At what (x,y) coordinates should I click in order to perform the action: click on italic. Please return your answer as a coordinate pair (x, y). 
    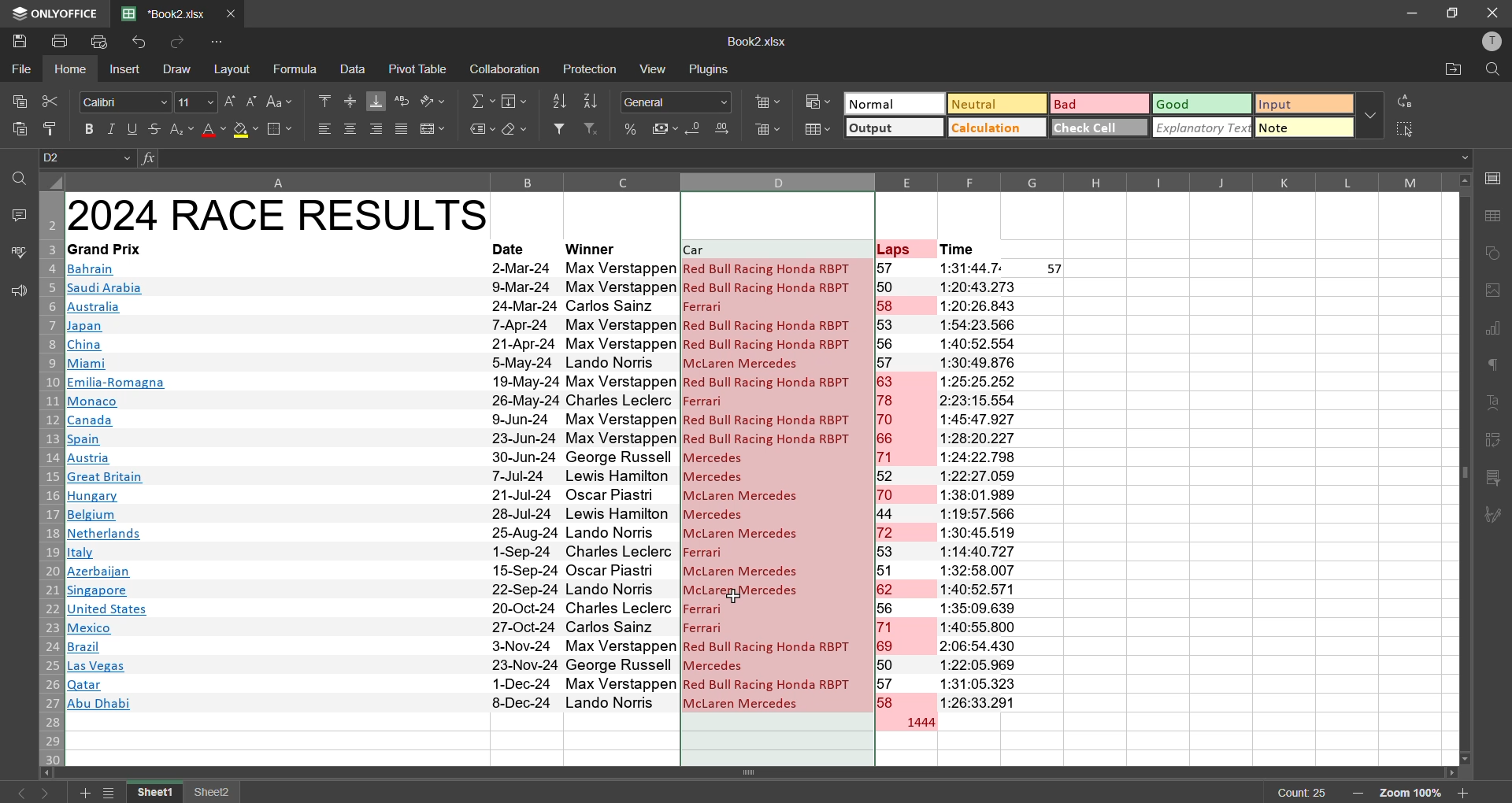
    Looking at the image, I should click on (113, 129).